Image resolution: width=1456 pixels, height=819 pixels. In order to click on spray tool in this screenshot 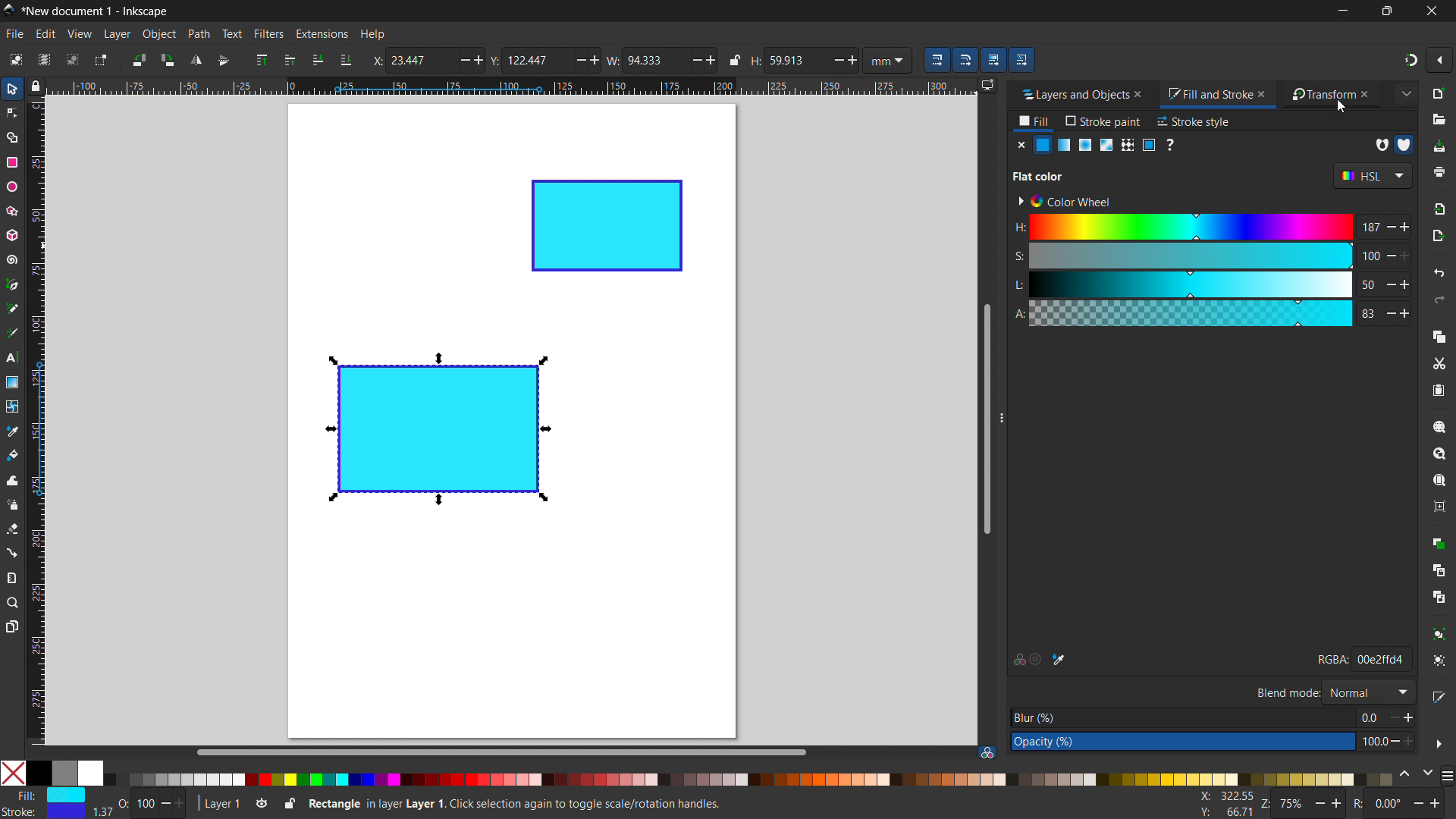, I will do `click(13, 504)`.